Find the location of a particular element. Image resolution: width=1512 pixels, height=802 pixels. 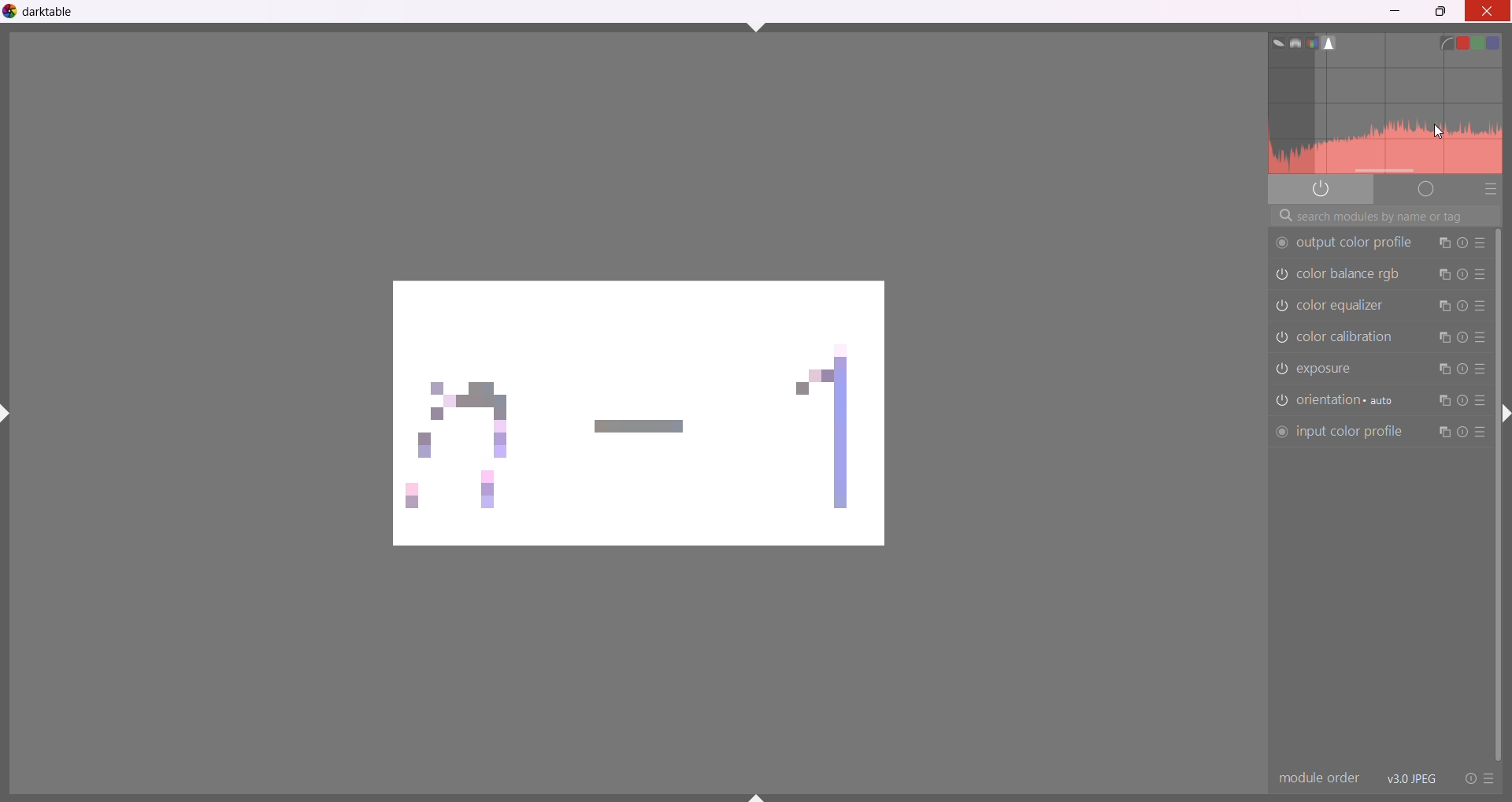

histogram is located at coordinates (1333, 43).